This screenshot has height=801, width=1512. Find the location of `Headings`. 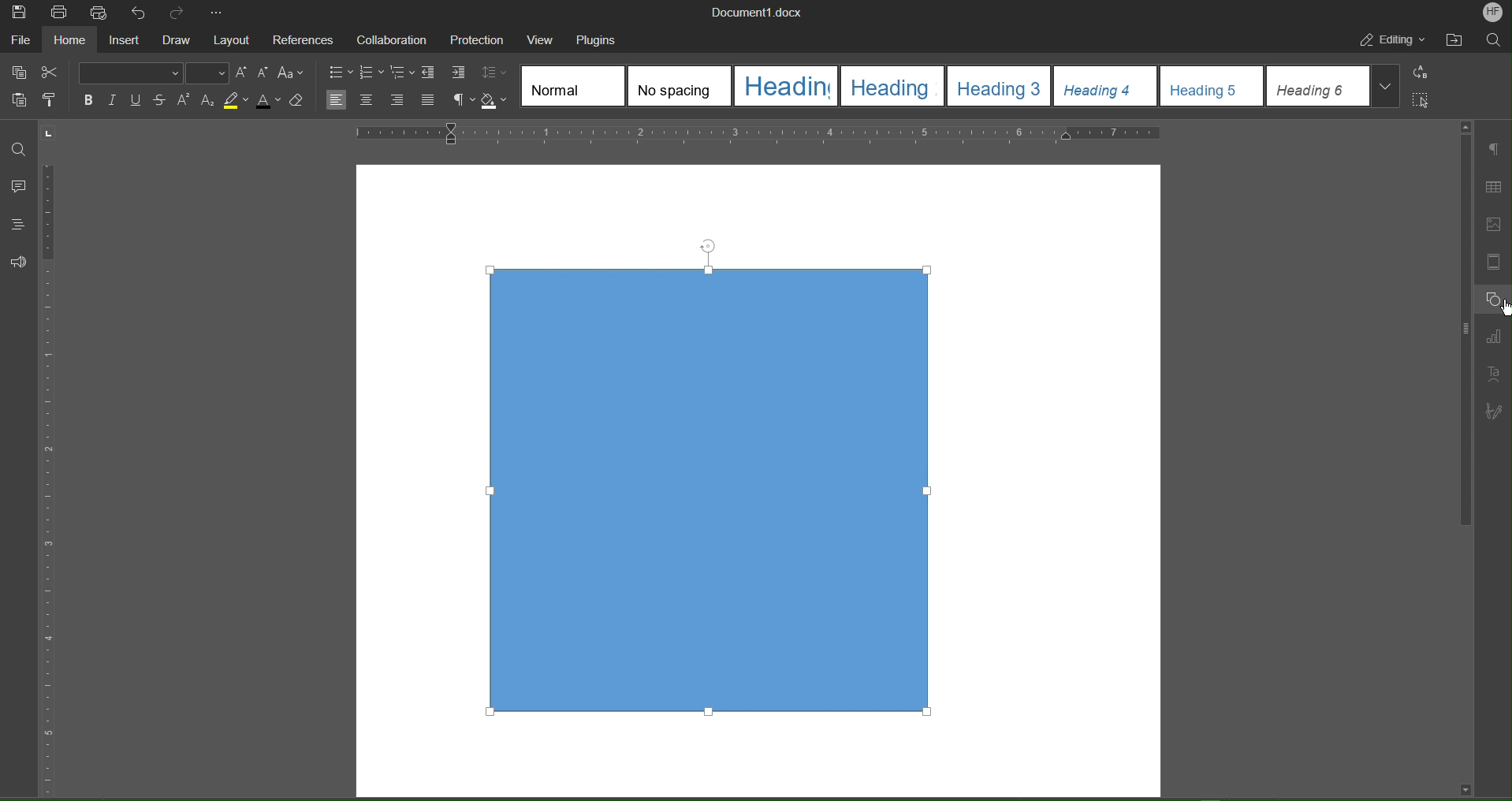

Headings is located at coordinates (20, 225).